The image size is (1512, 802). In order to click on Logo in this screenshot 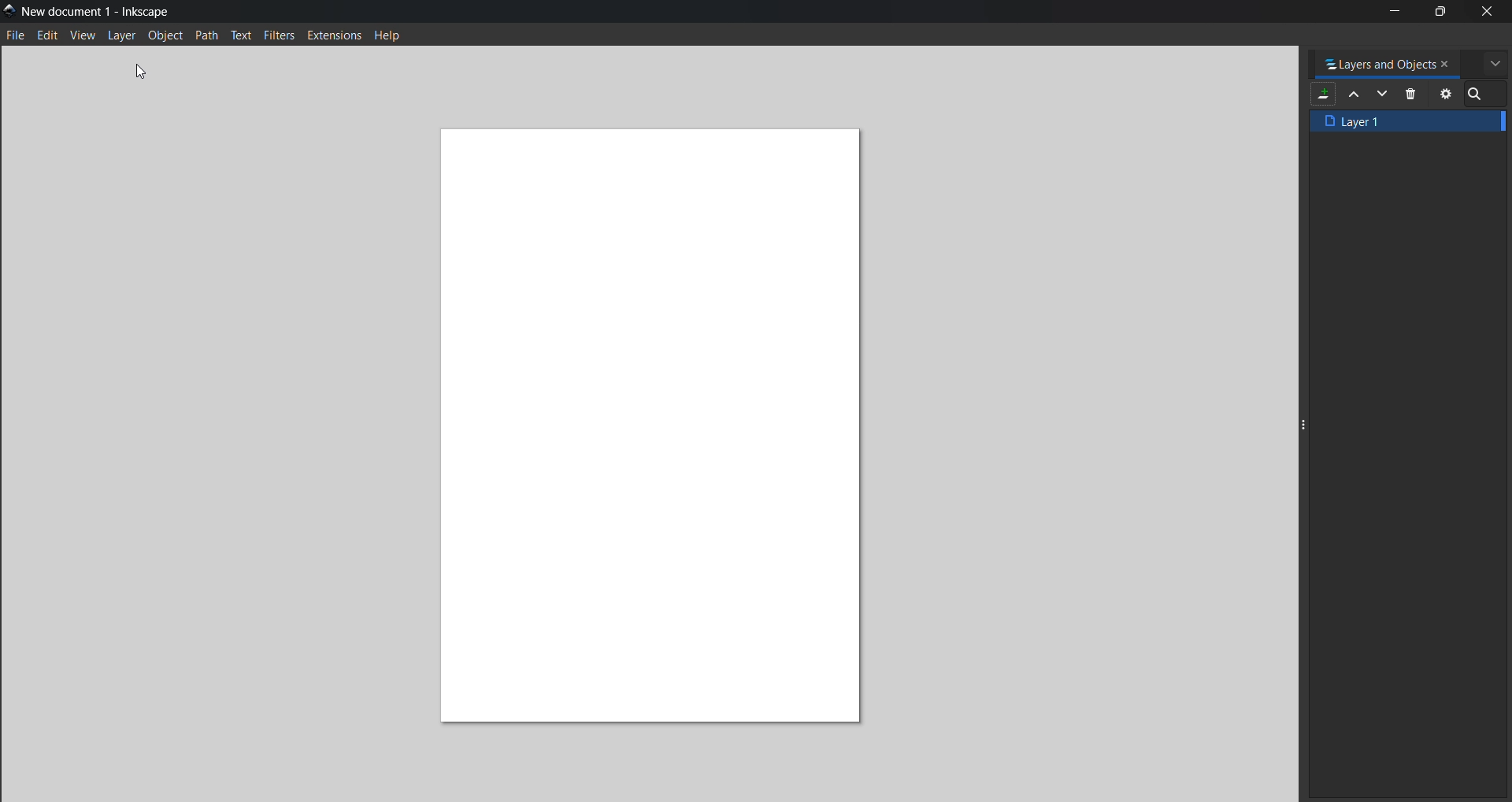, I will do `click(9, 10)`.